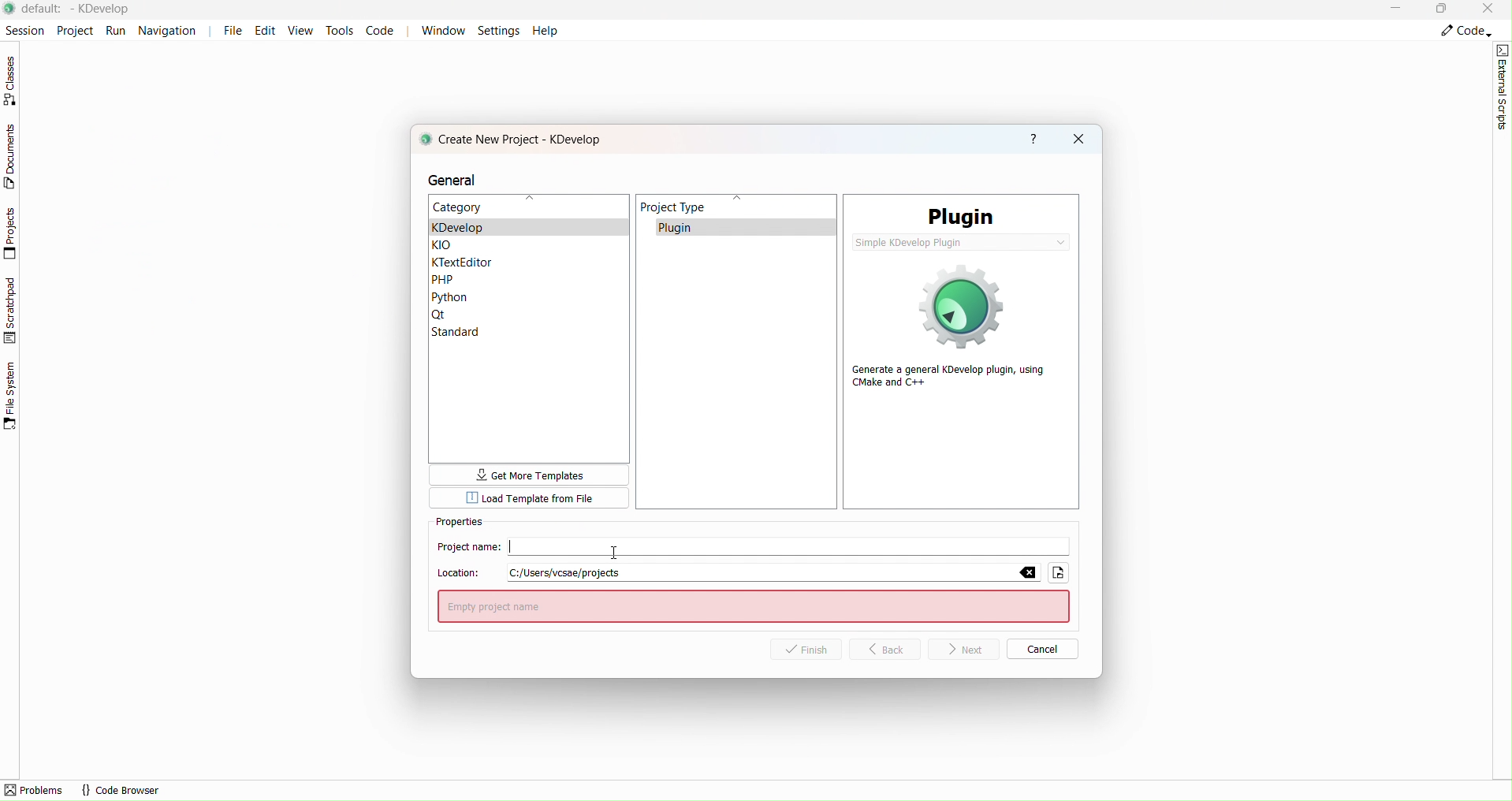 Image resolution: width=1512 pixels, height=801 pixels. I want to click on Template from file, so click(529, 498).